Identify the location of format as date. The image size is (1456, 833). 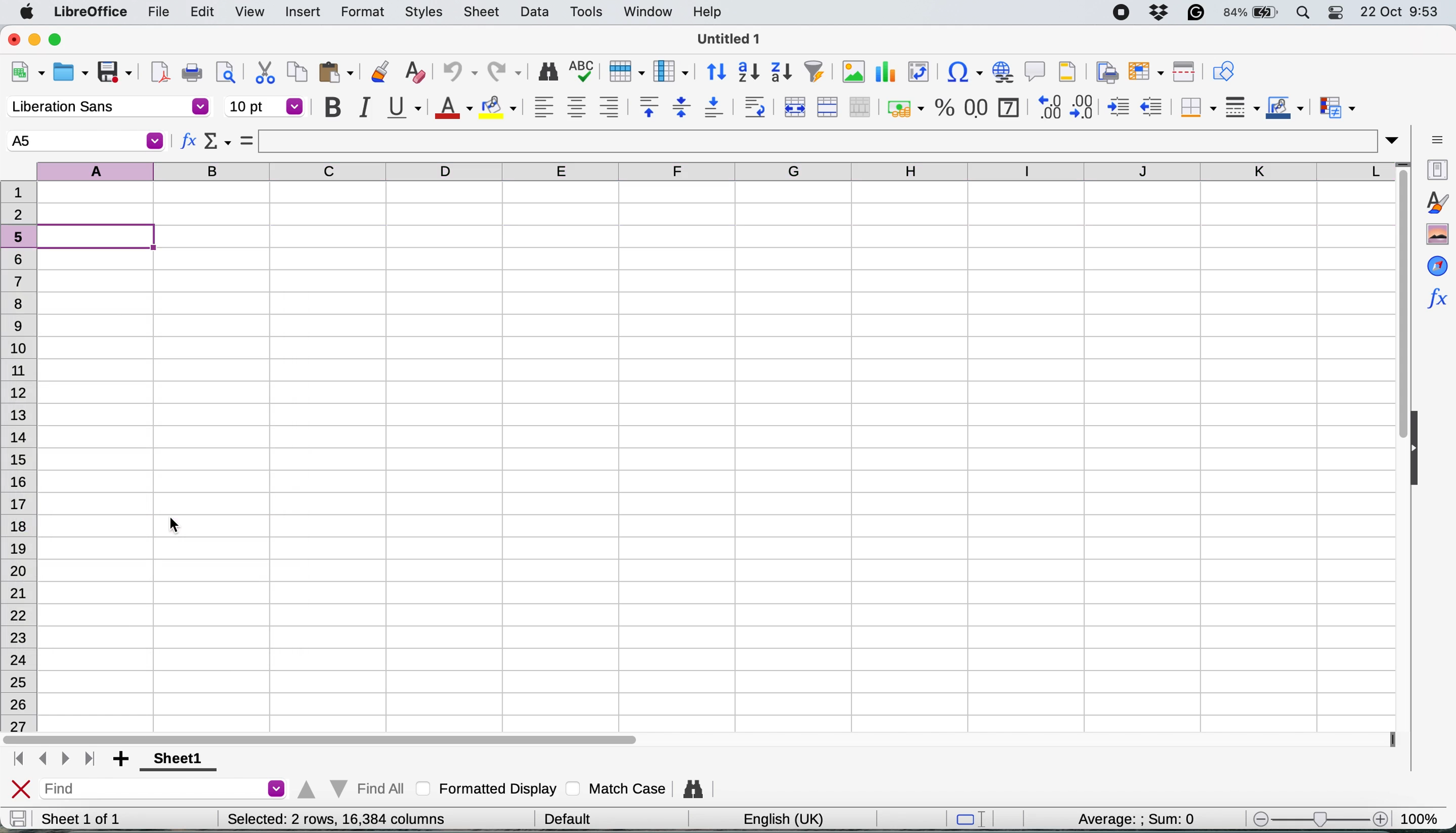
(1008, 106).